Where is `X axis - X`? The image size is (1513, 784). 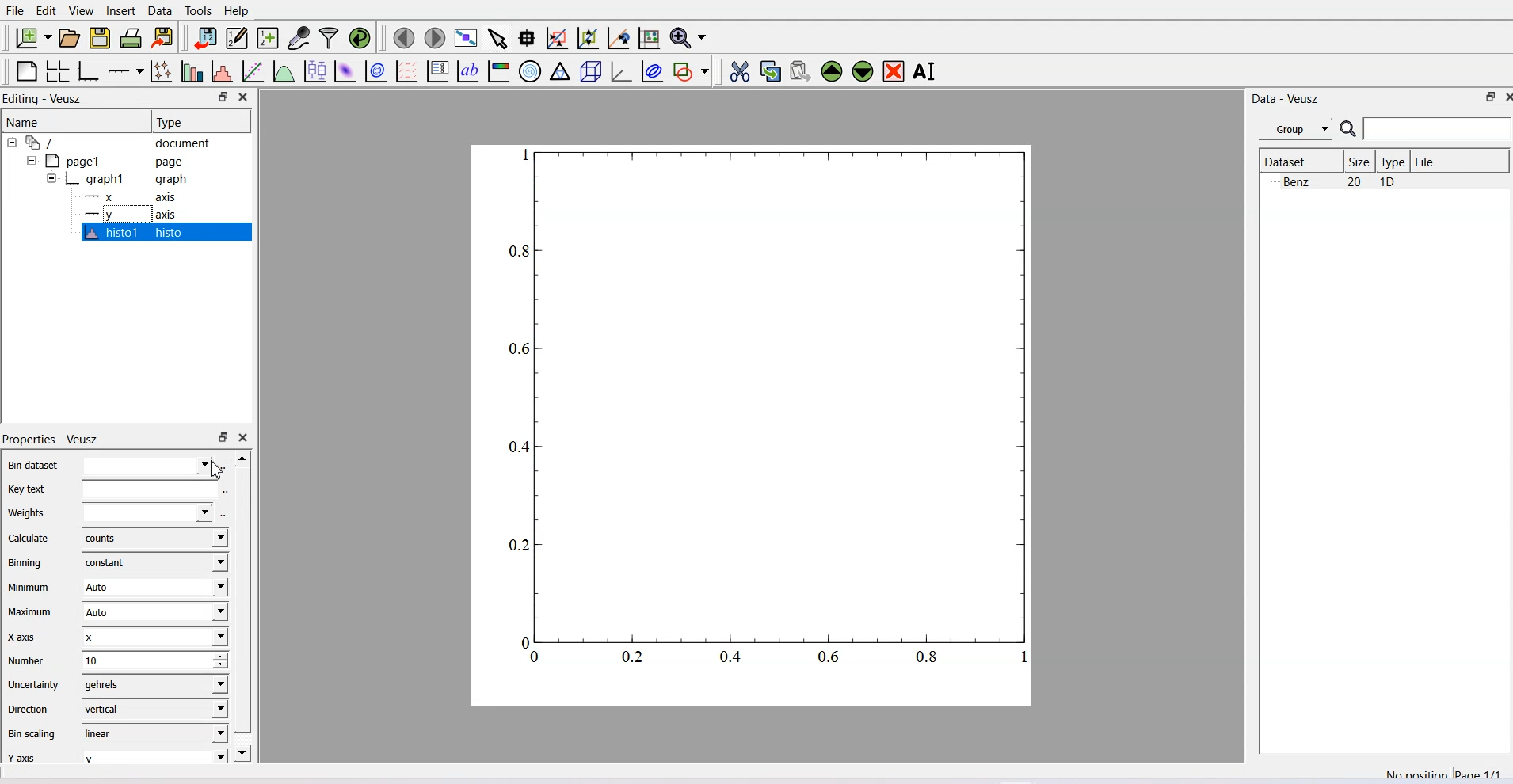
X axis - X is located at coordinates (115, 636).